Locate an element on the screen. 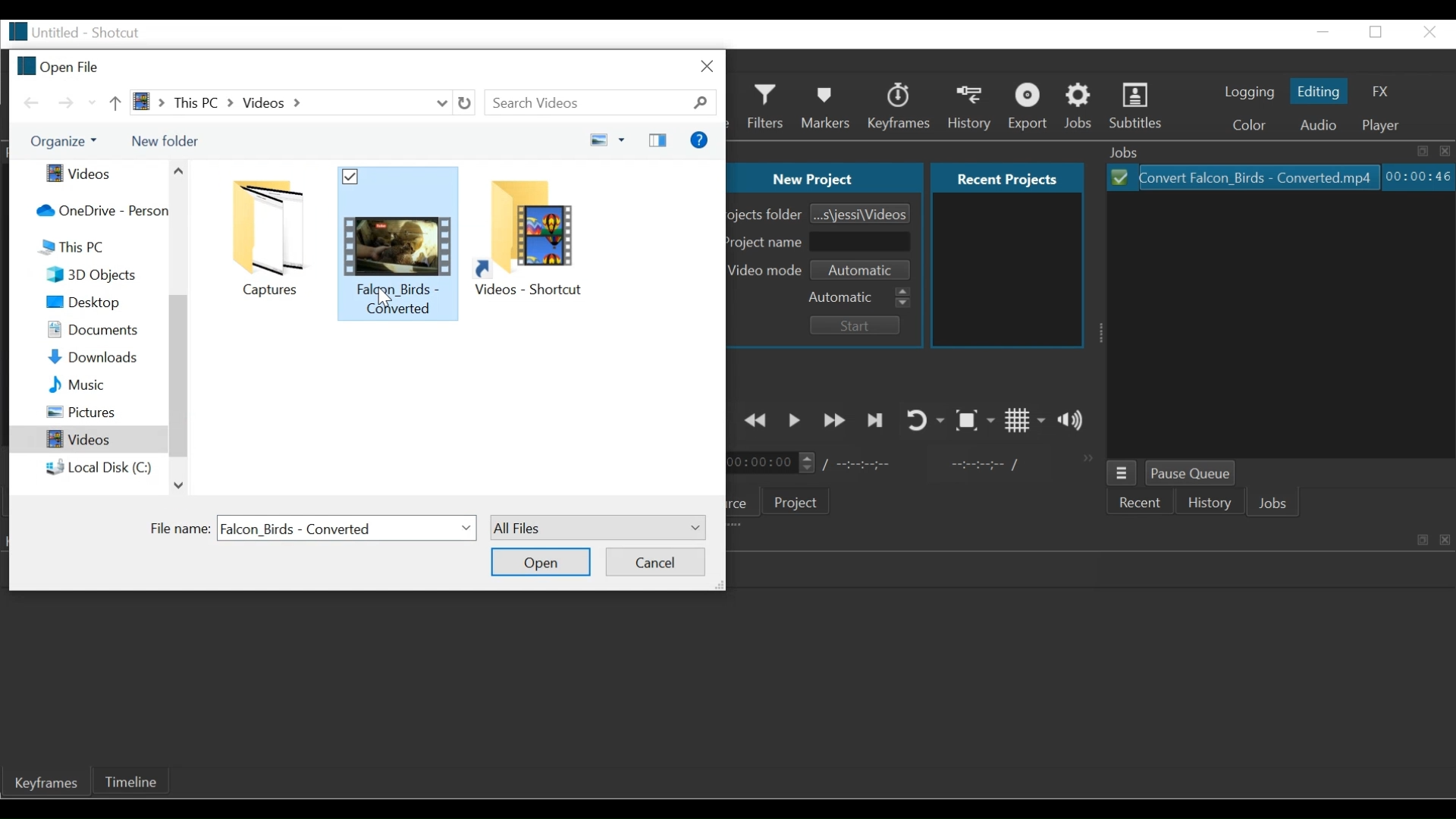 The width and height of the screenshot is (1456, 819). History is located at coordinates (1210, 500).